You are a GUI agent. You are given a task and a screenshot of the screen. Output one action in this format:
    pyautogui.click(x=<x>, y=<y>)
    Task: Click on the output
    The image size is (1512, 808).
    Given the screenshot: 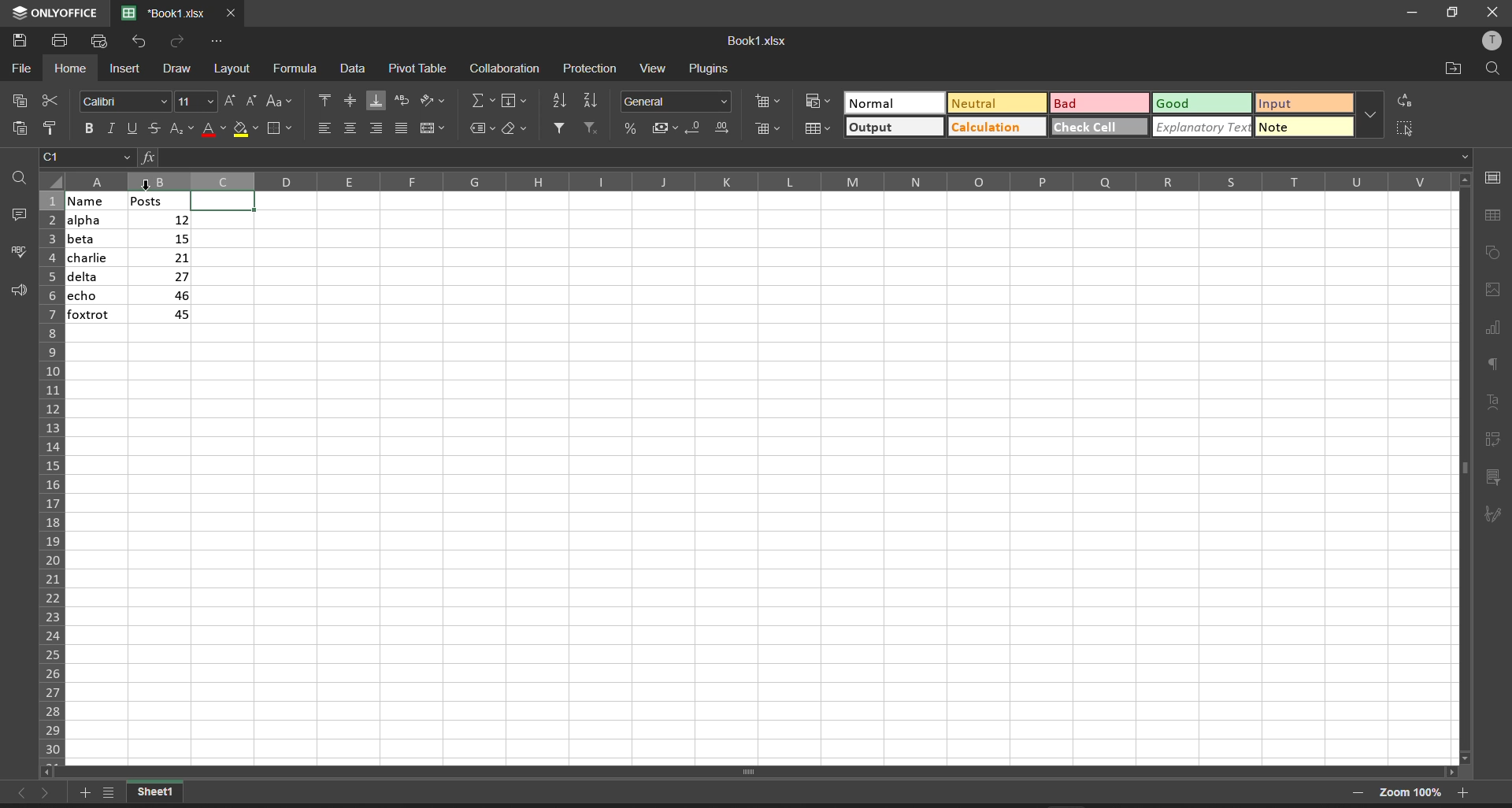 What is the action you would take?
    pyautogui.click(x=872, y=128)
    